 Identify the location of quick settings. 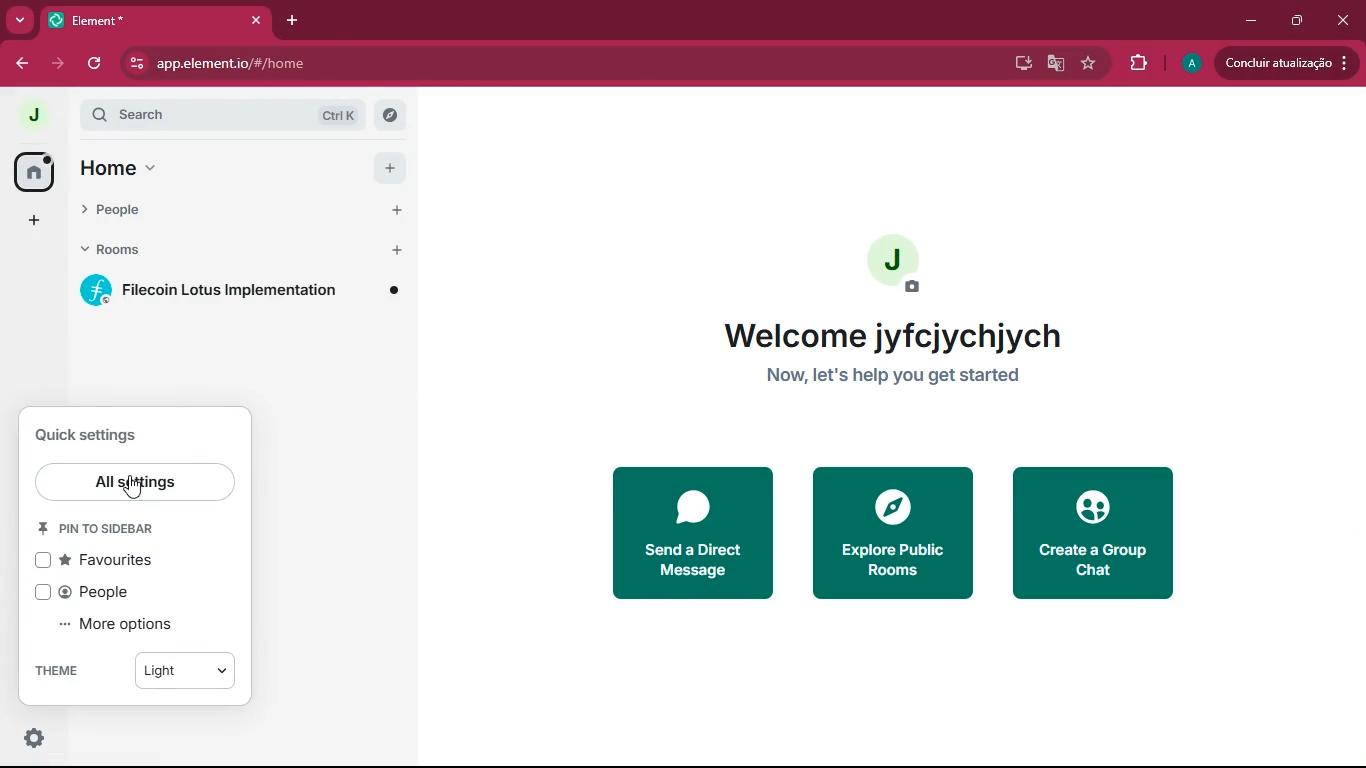
(98, 437).